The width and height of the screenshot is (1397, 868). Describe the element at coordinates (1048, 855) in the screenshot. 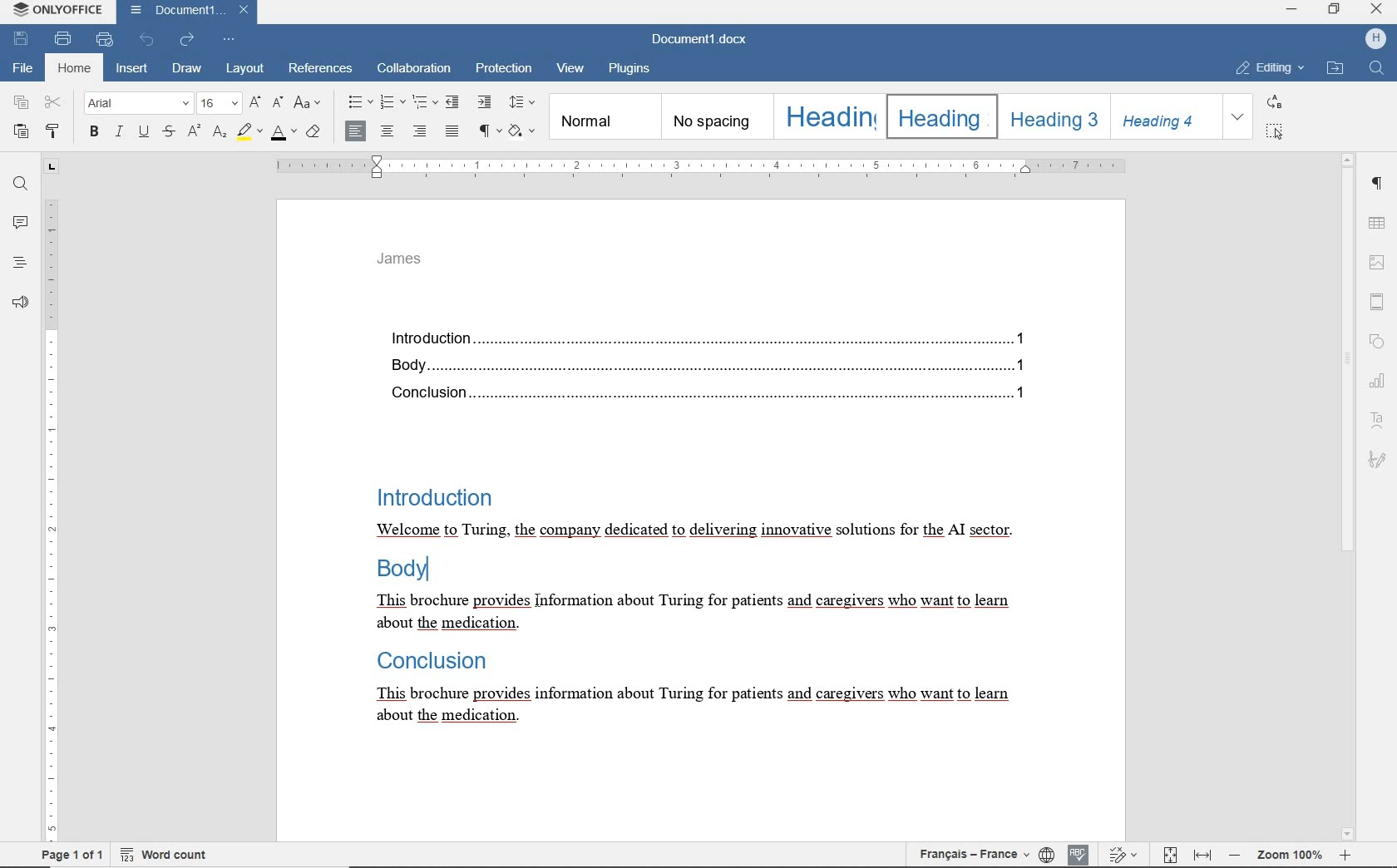

I see `SET DOCUMENT LANGUAGE` at that location.